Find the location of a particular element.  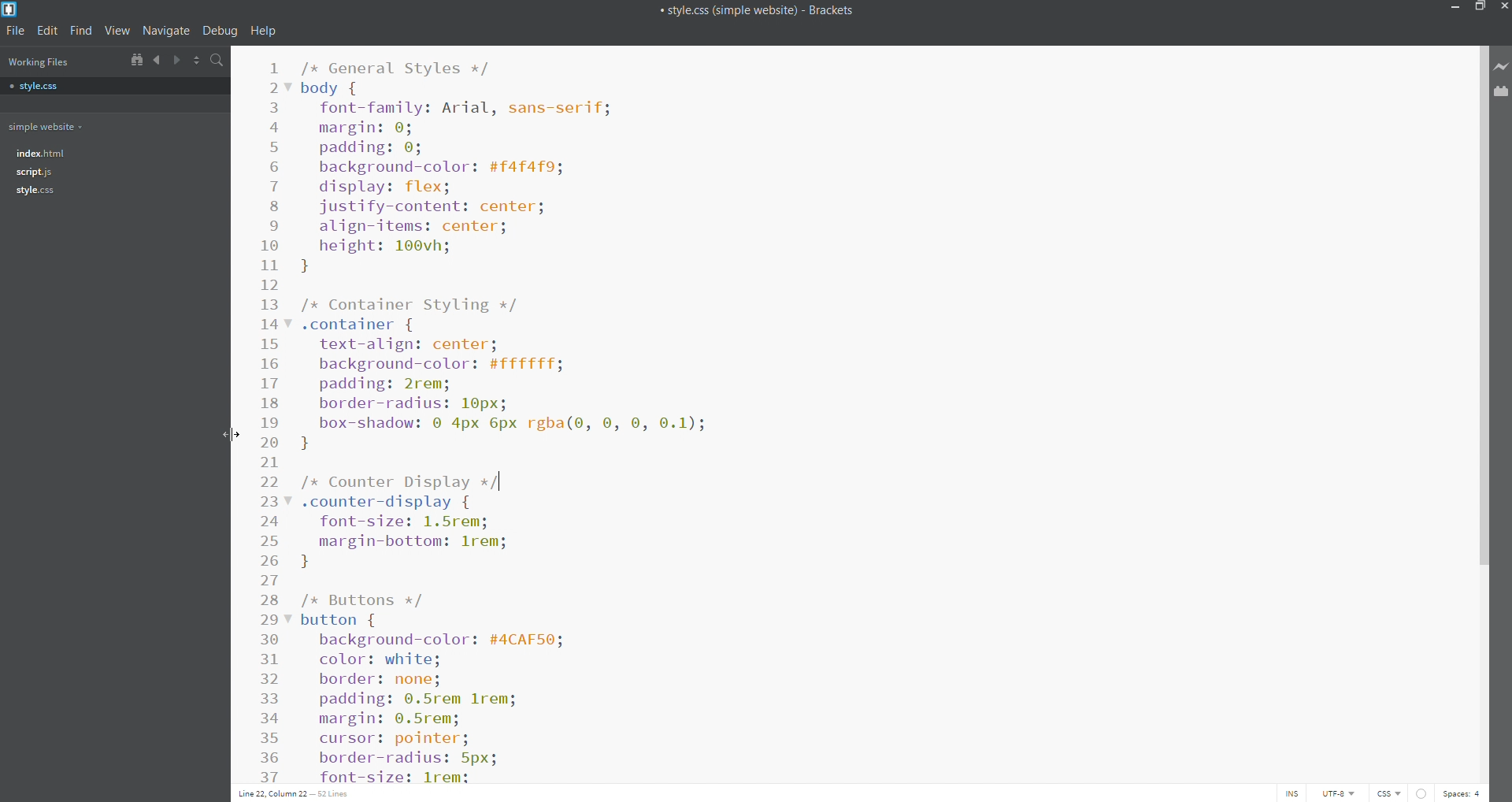

cursor is located at coordinates (231, 434).